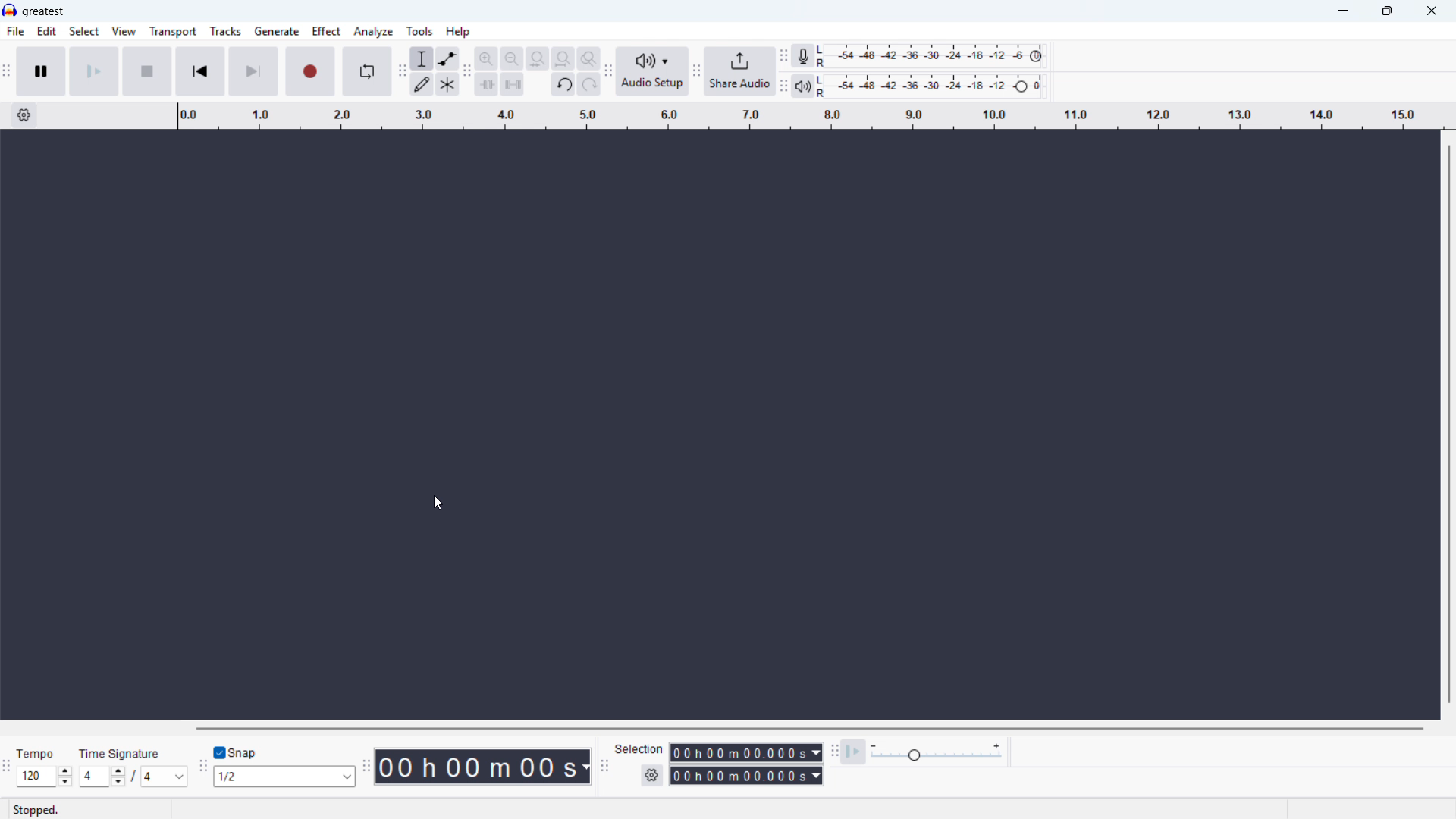 This screenshot has width=1456, height=819. What do you see at coordinates (1344, 11) in the screenshot?
I see `minimise ` at bounding box center [1344, 11].